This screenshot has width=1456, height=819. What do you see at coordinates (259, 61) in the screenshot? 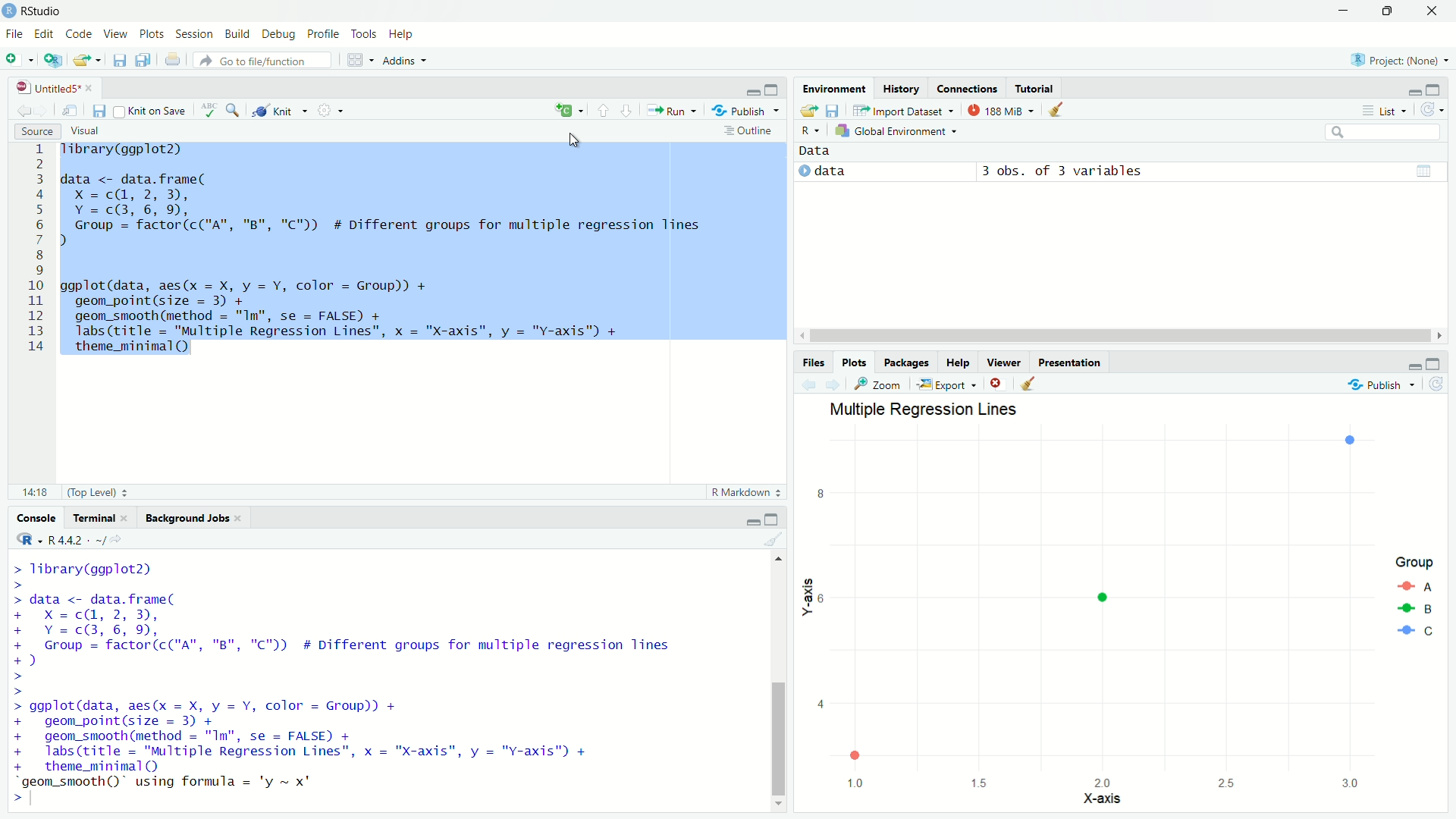
I see `‘Go to file/function` at bounding box center [259, 61].